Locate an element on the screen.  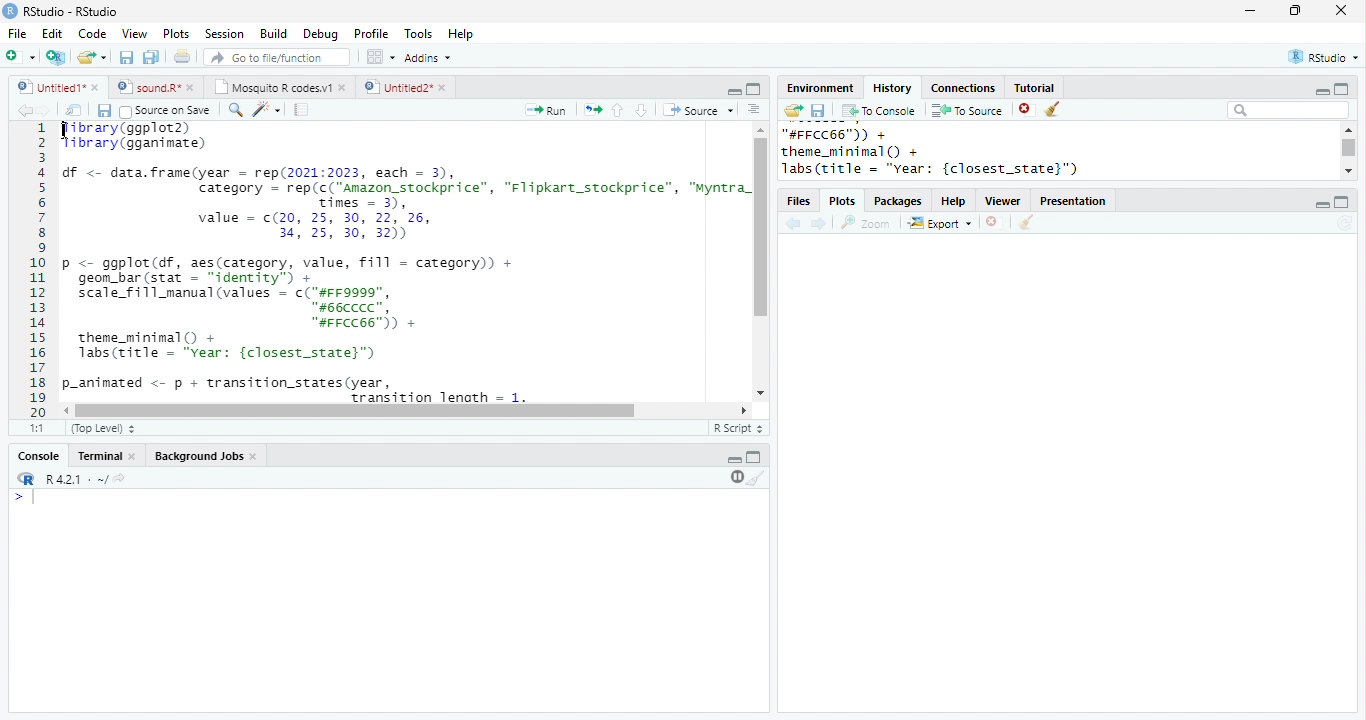
minimize is located at coordinates (1321, 91).